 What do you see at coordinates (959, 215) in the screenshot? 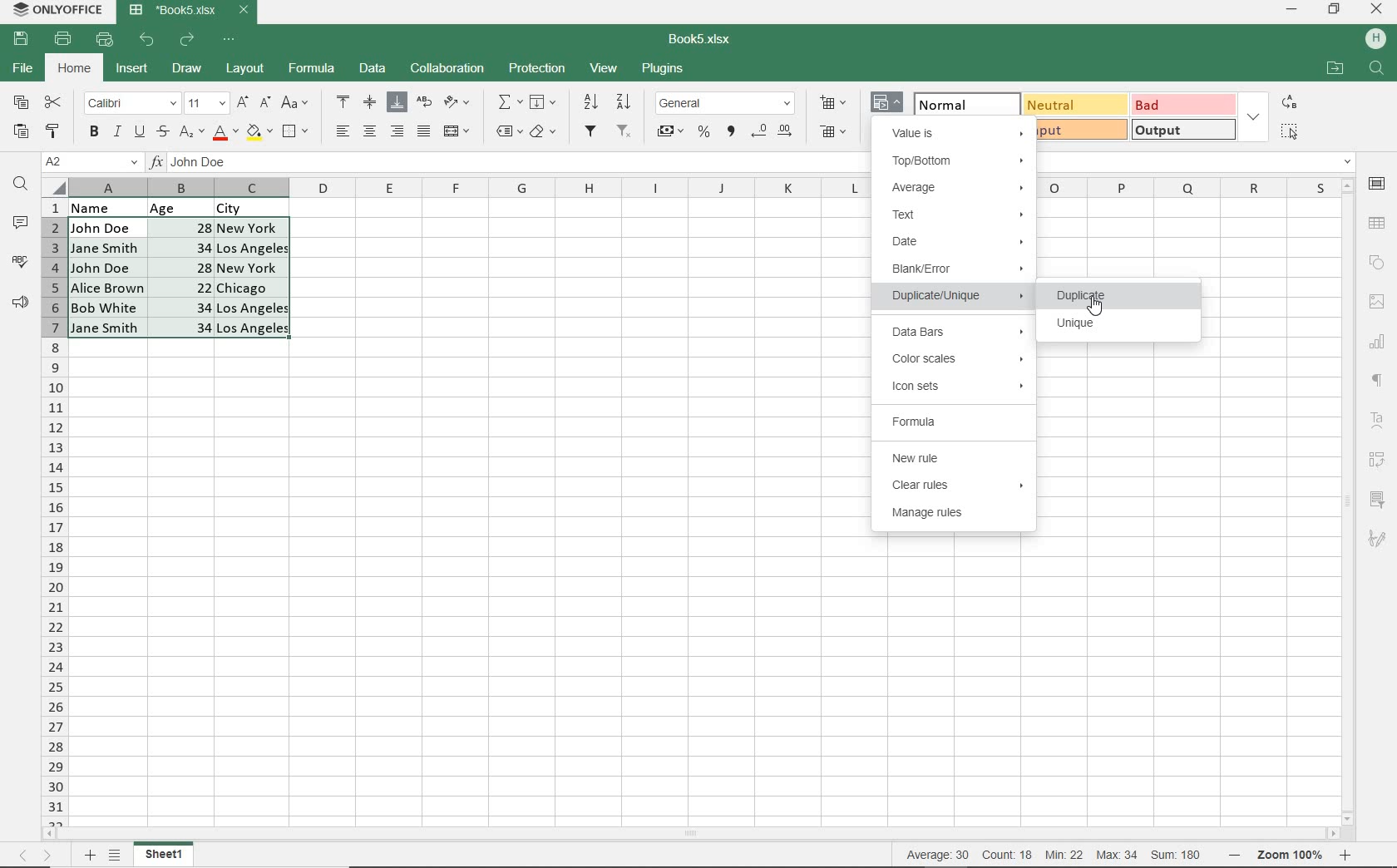
I see `TEXT` at bounding box center [959, 215].